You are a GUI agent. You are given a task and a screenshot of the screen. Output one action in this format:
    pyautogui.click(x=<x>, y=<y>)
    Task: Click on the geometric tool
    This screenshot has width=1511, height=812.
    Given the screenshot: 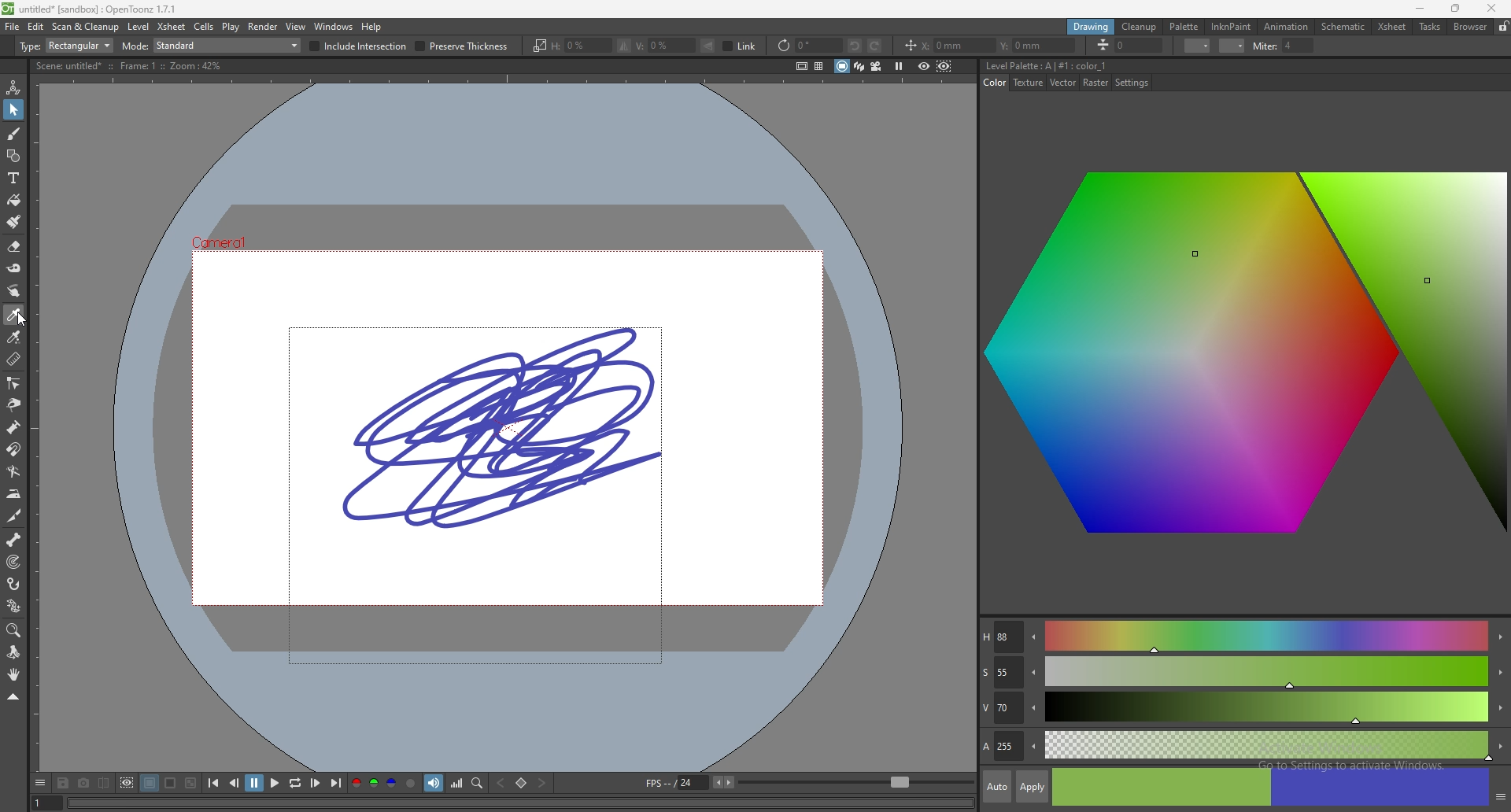 What is the action you would take?
    pyautogui.click(x=13, y=155)
    